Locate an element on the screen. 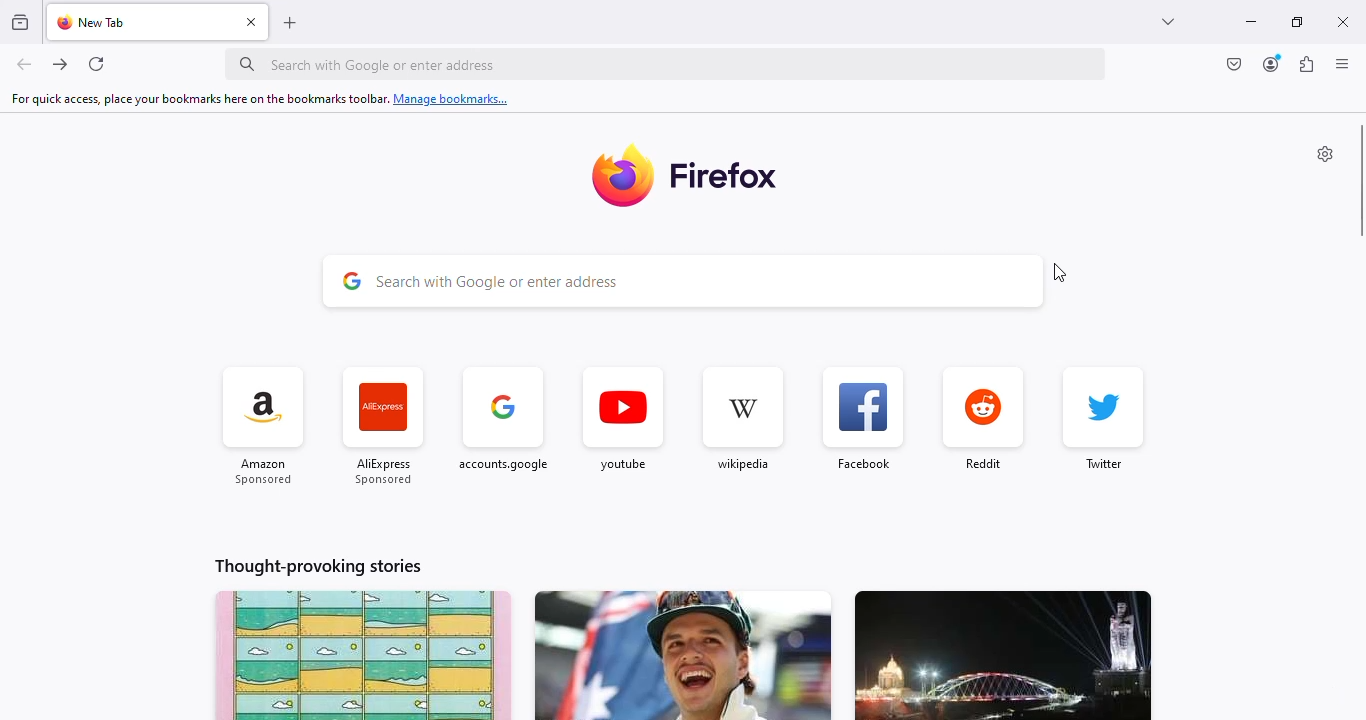  close tab is located at coordinates (252, 21).